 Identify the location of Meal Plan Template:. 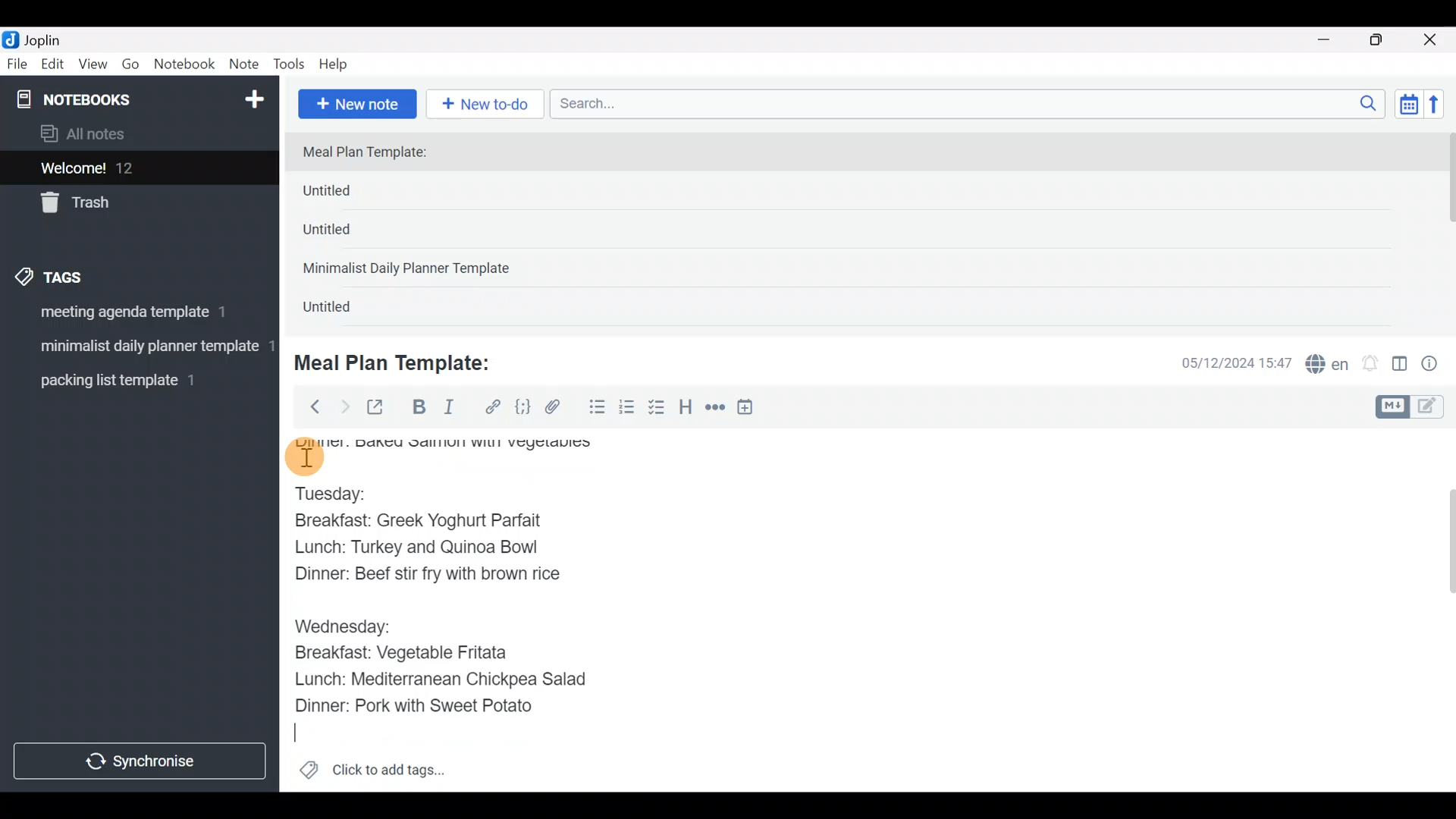
(402, 361).